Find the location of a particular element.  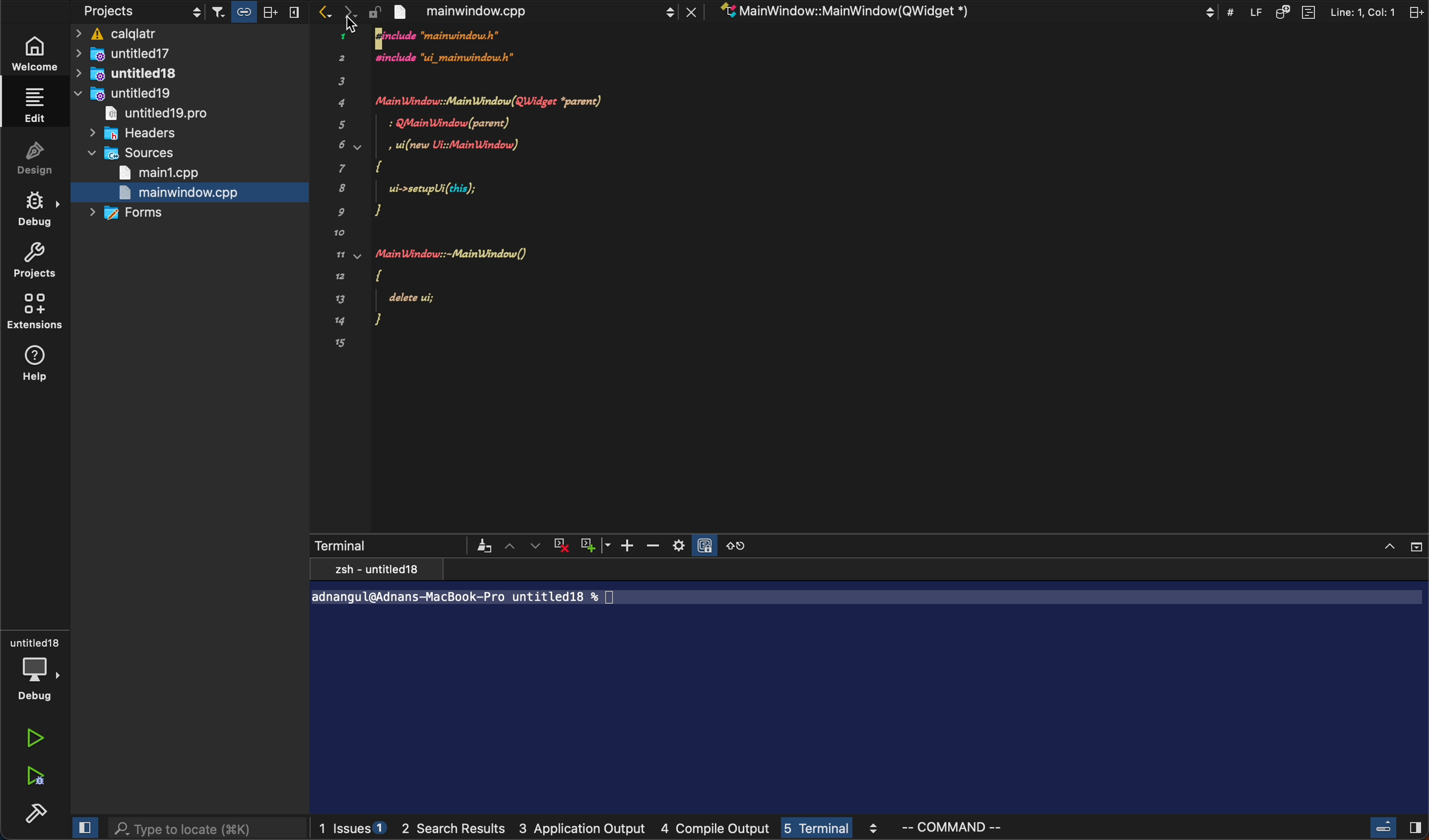

build is located at coordinates (35, 811).